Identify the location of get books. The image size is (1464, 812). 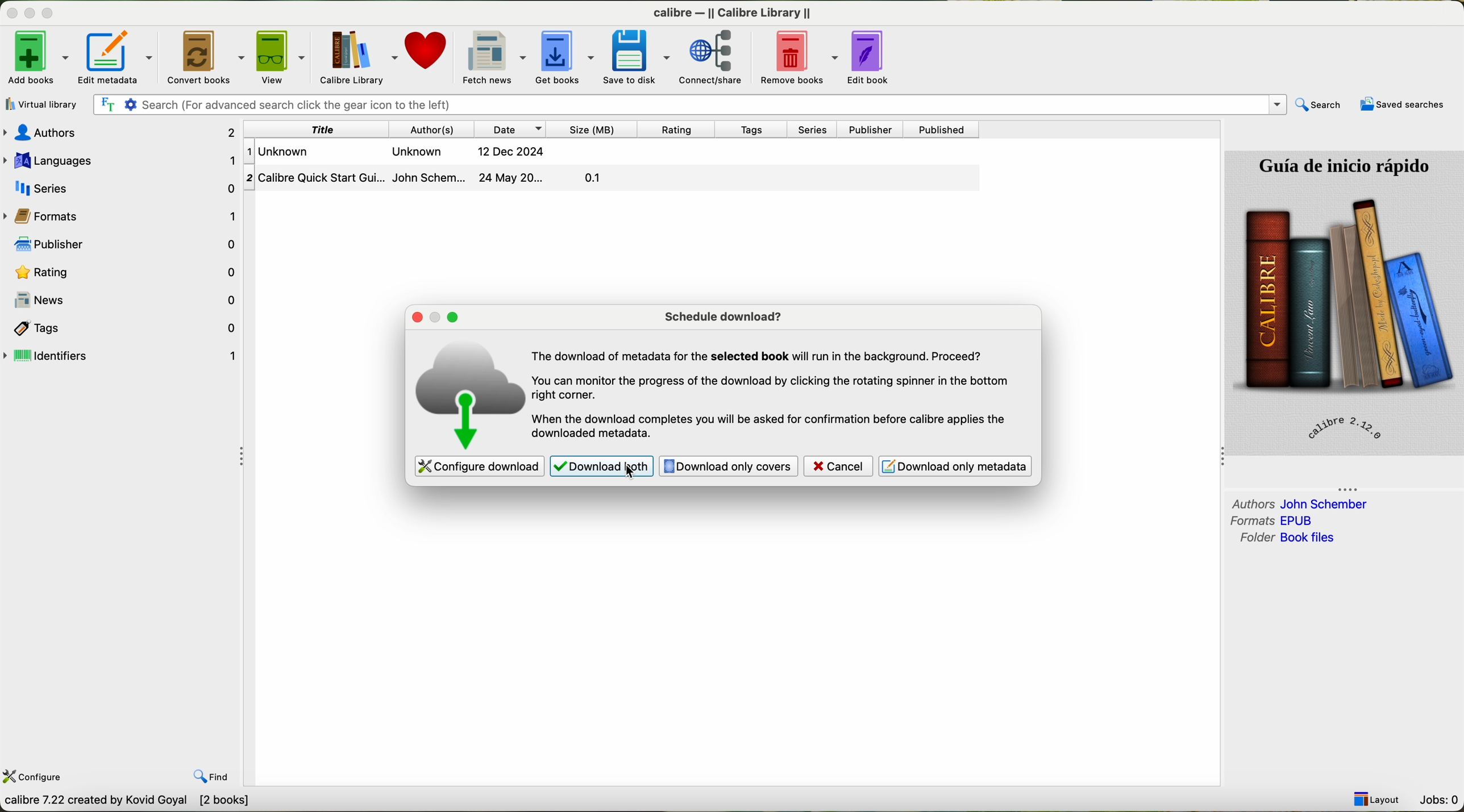
(567, 57).